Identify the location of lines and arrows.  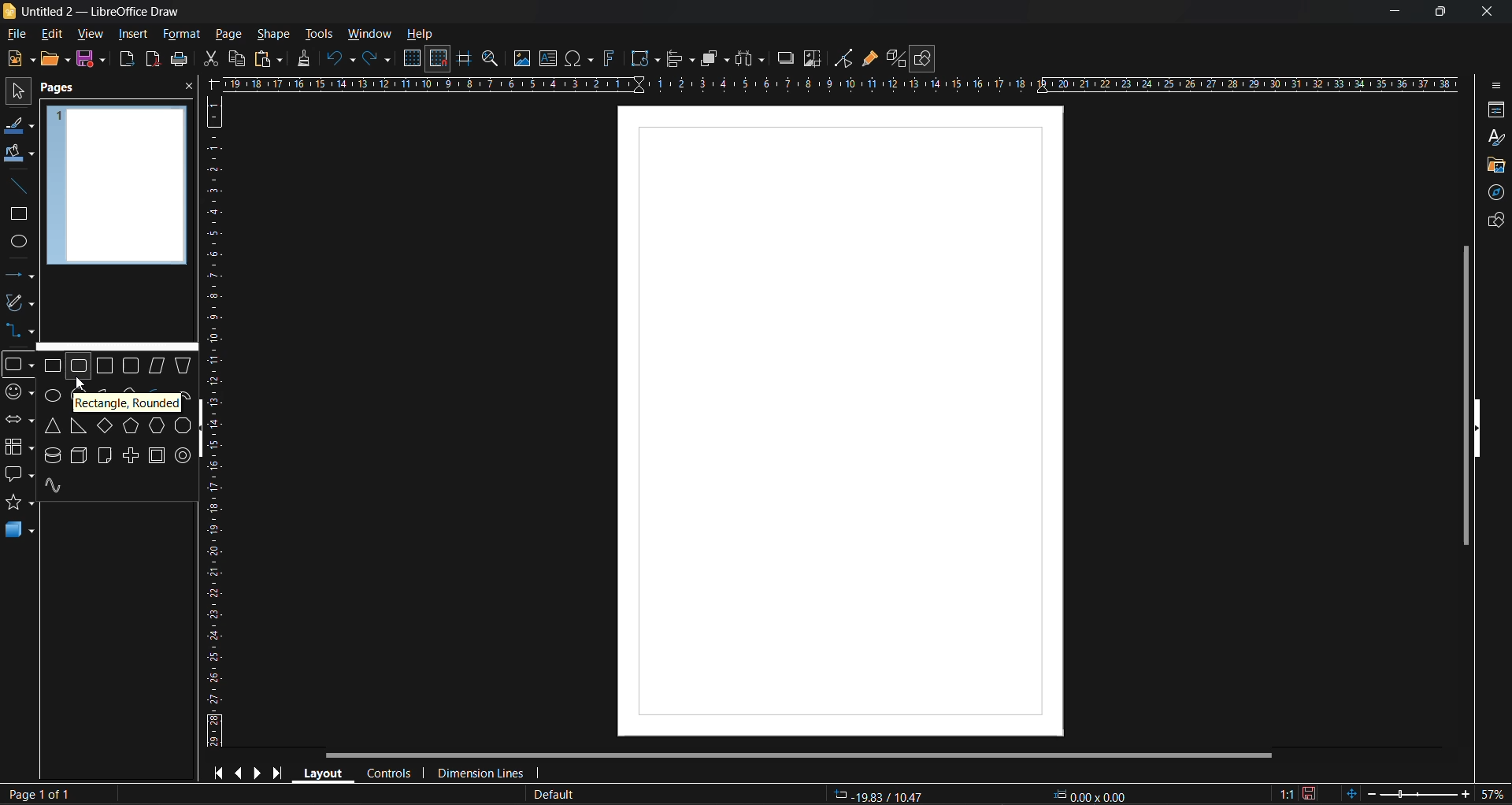
(24, 278).